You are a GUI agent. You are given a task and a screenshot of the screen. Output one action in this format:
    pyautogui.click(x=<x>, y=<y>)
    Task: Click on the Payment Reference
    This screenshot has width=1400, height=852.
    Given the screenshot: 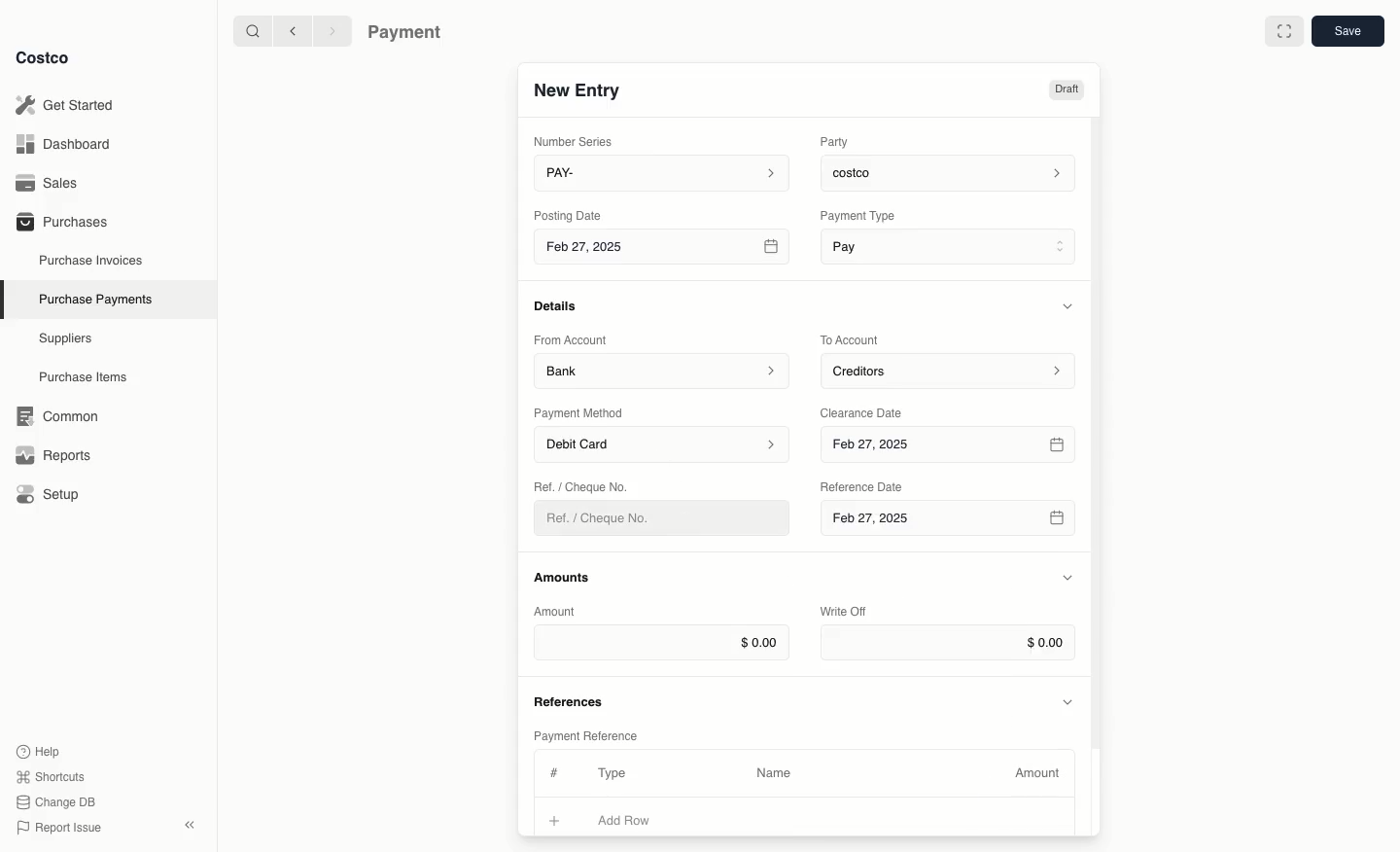 What is the action you would take?
    pyautogui.click(x=584, y=733)
    